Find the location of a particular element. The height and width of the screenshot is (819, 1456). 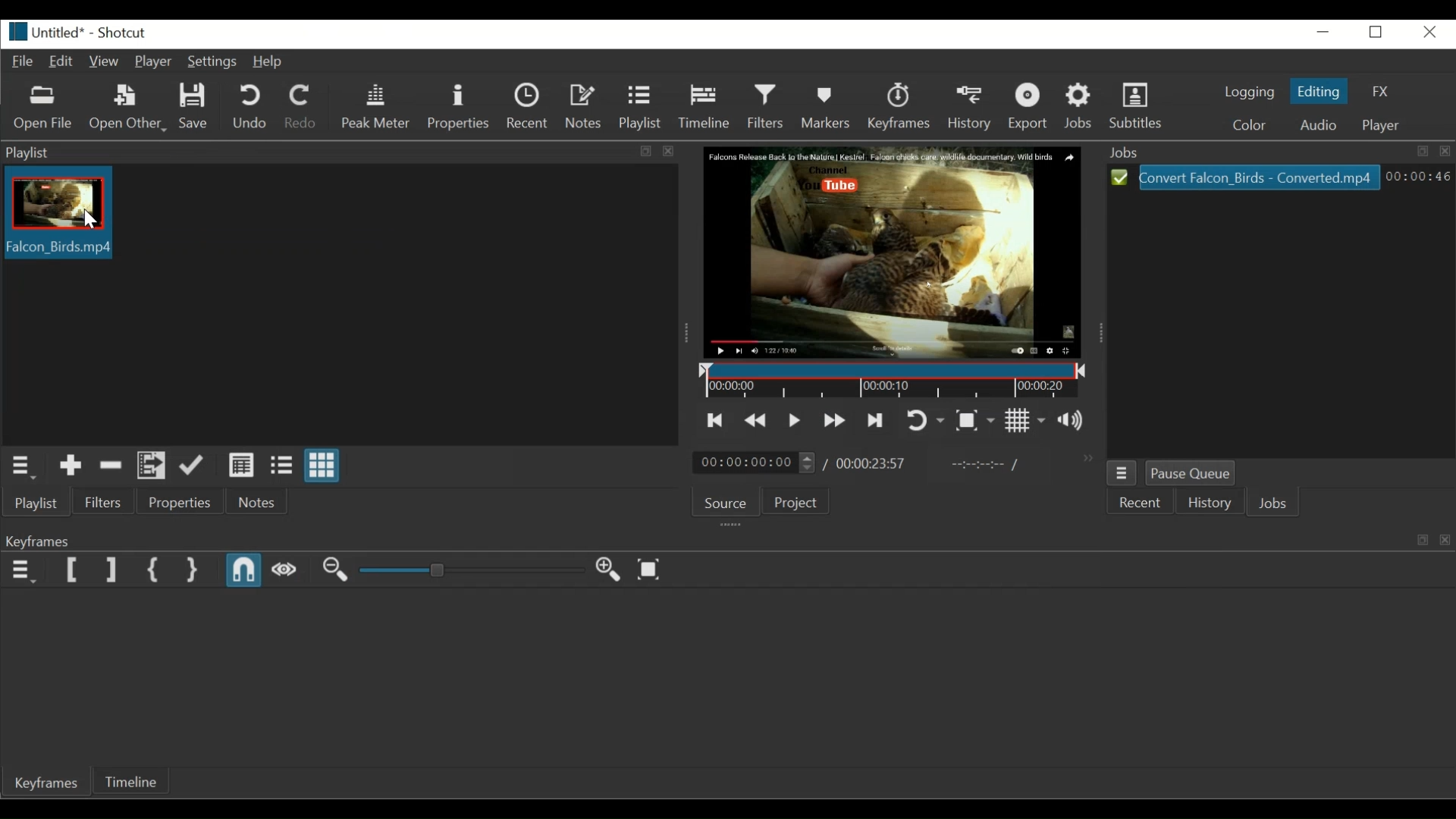

Project is located at coordinates (799, 504).